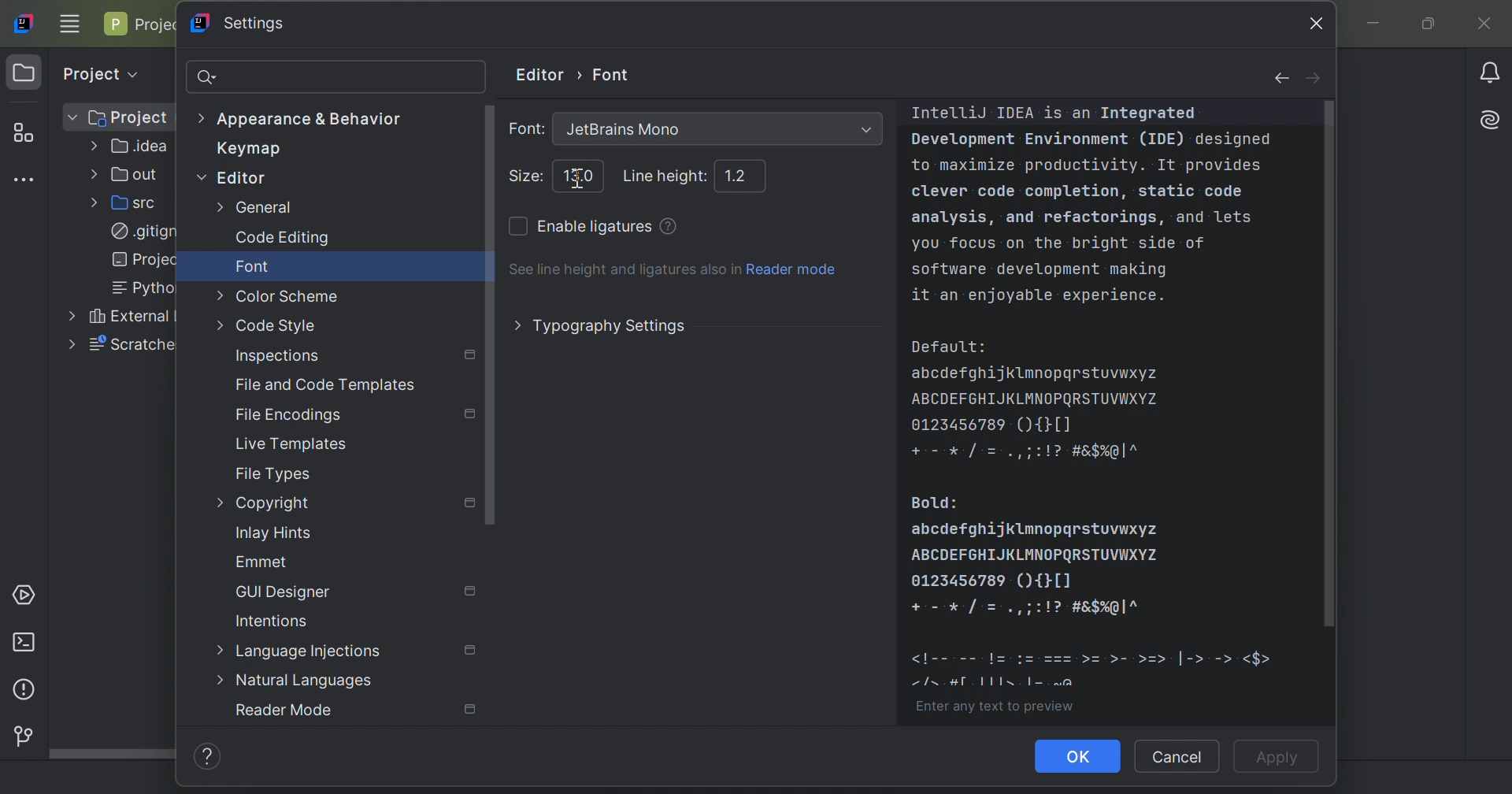  Describe the element at coordinates (669, 225) in the screenshot. I see `Use several characters as a single ligature. Ligatures enhance code readability. Use the section below to preview the changes.` at that location.